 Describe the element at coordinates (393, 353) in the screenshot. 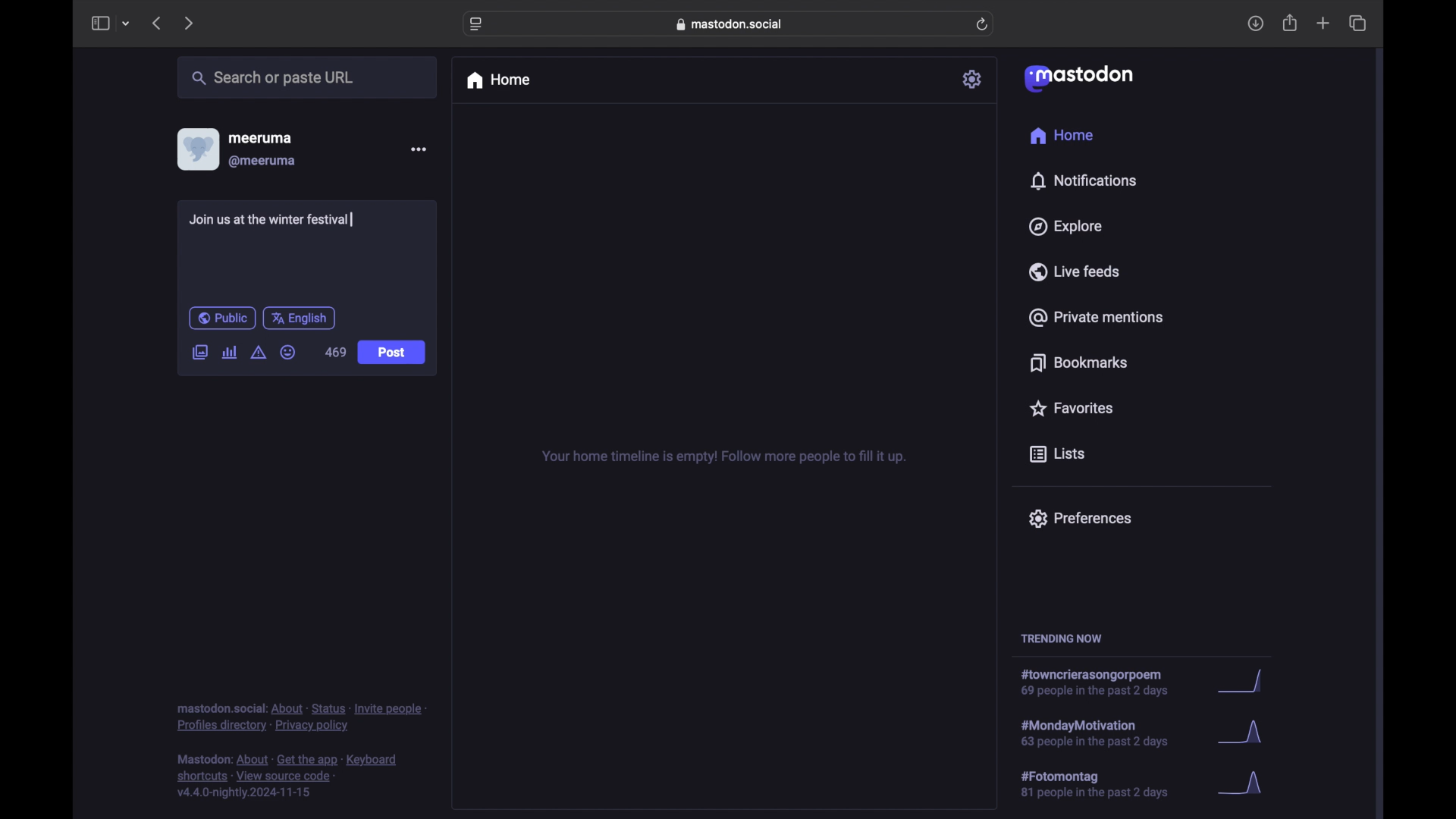

I see `Post` at that location.